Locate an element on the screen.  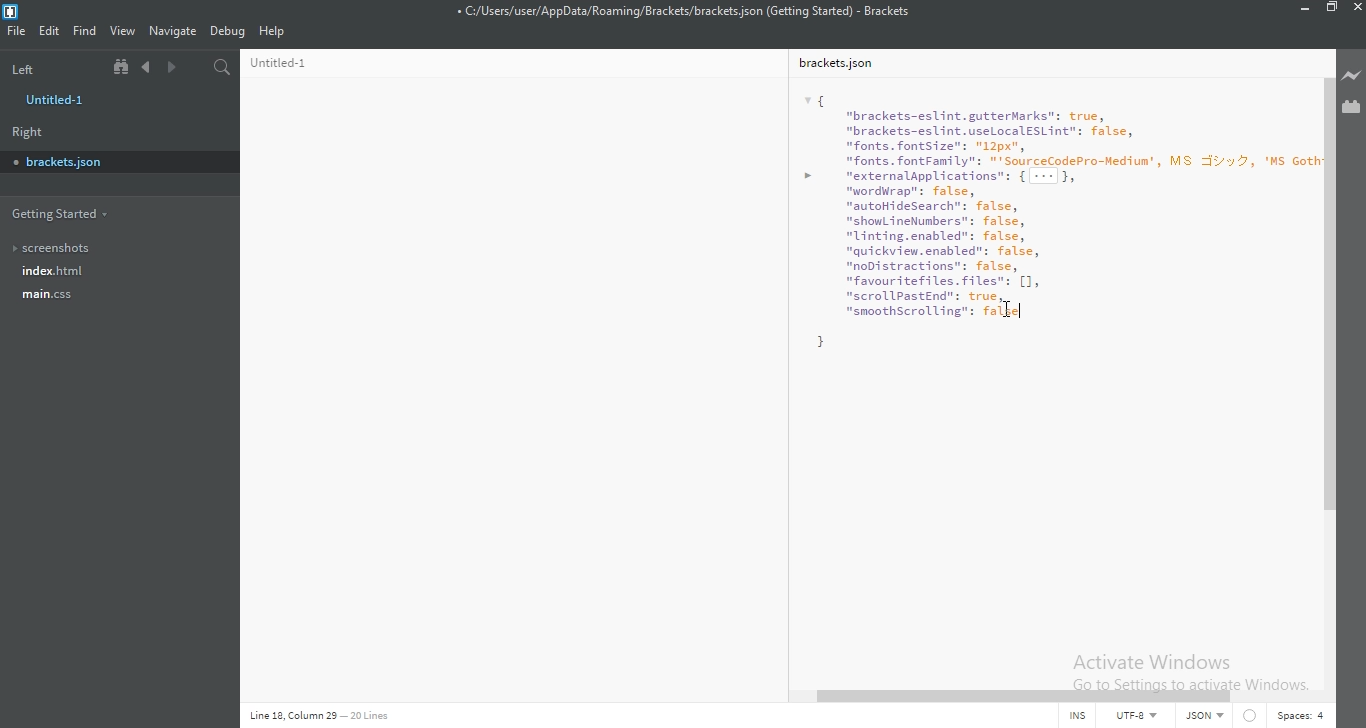
Find is located at coordinates (87, 30).